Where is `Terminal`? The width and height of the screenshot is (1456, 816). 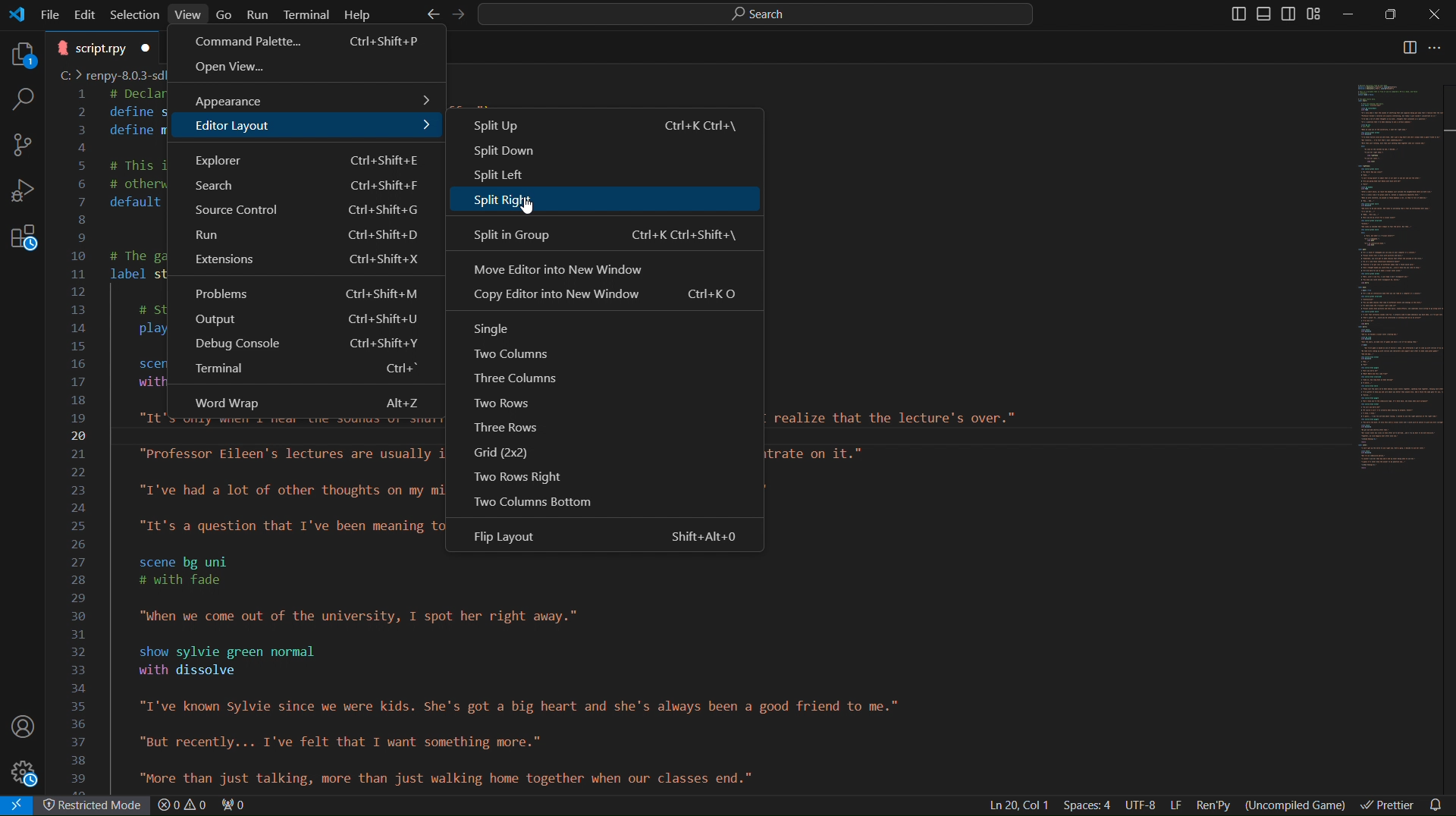
Terminal is located at coordinates (307, 14).